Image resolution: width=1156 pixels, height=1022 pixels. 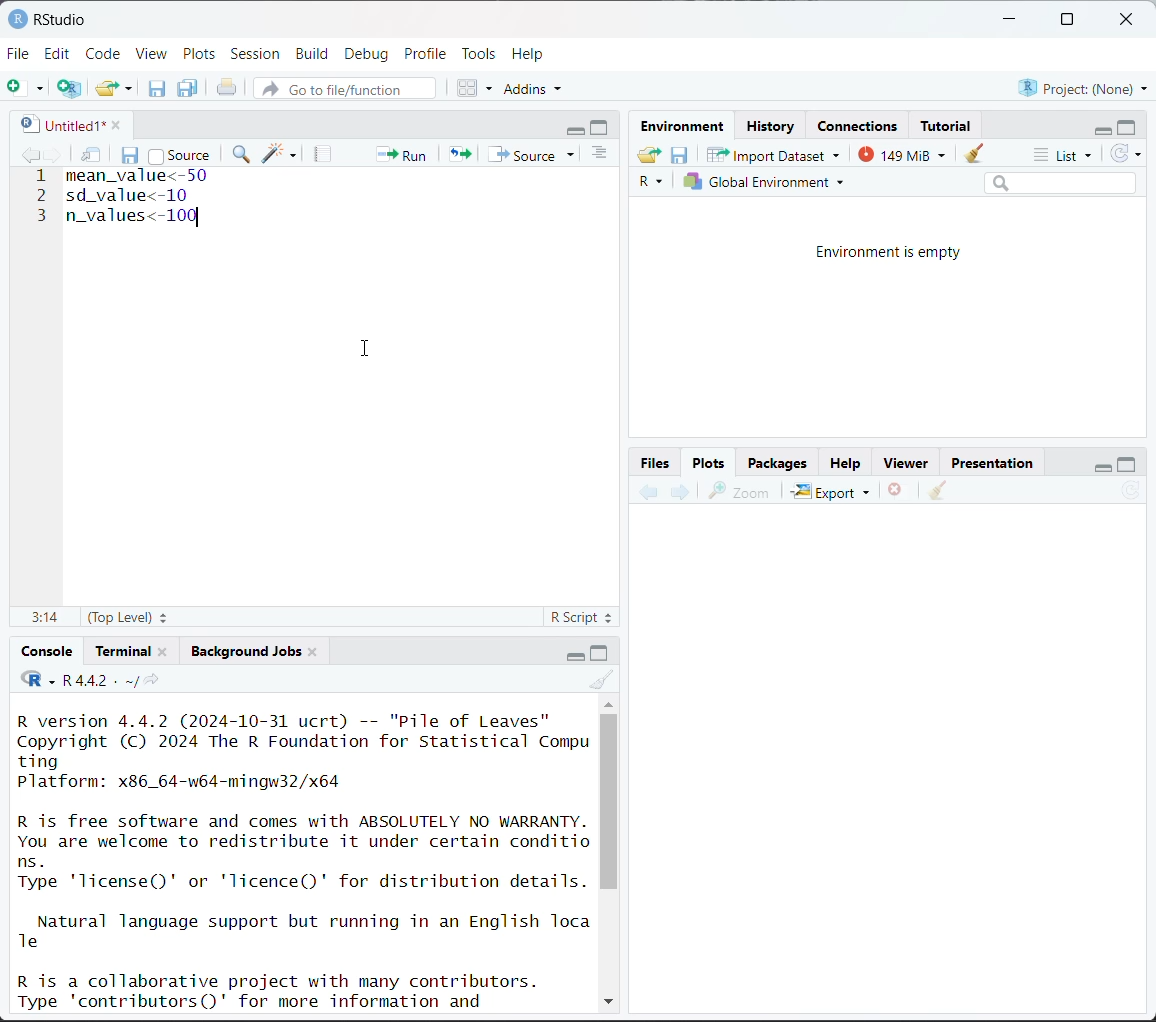 What do you see at coordinates (30, 156) in the screenshot?
I see `go backward to previous source location` at bounding box center [30, 156].